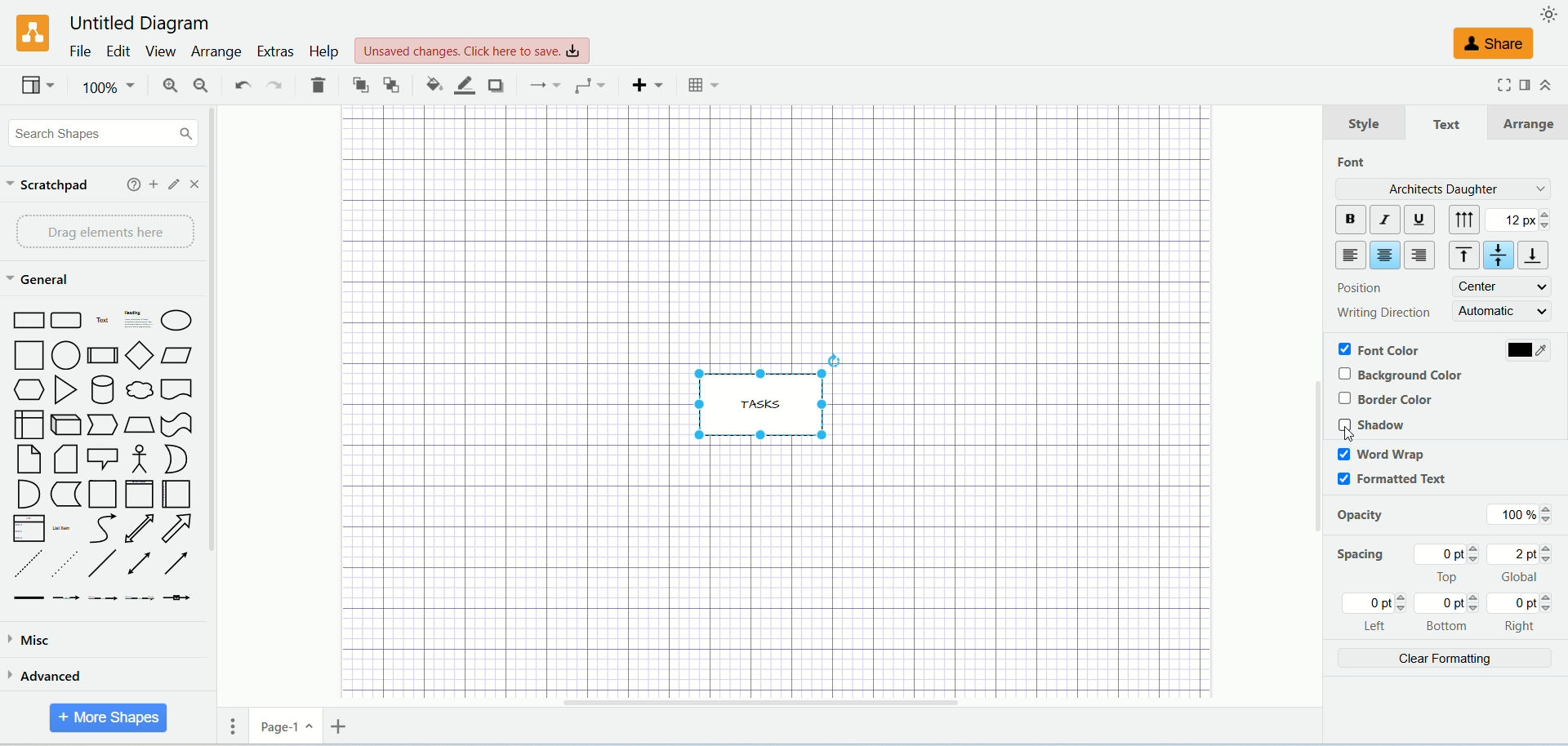 Image resolution: width=1568 pixels, height=746 pixels. Describe the element at coordinates (87, 642) in the screenshot. I see `misc` at that location.